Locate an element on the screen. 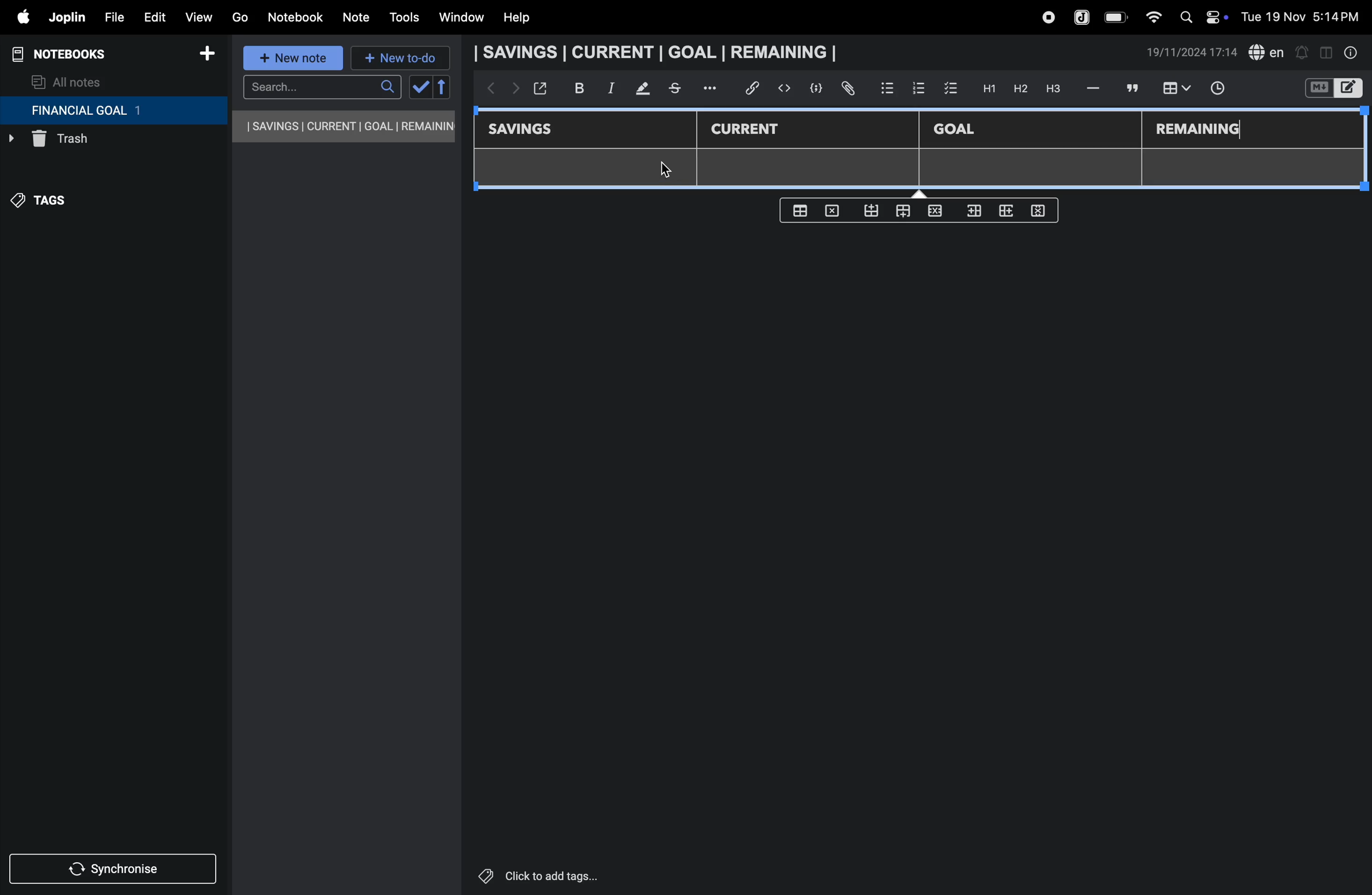  backward is located at coordinates (487, 89).